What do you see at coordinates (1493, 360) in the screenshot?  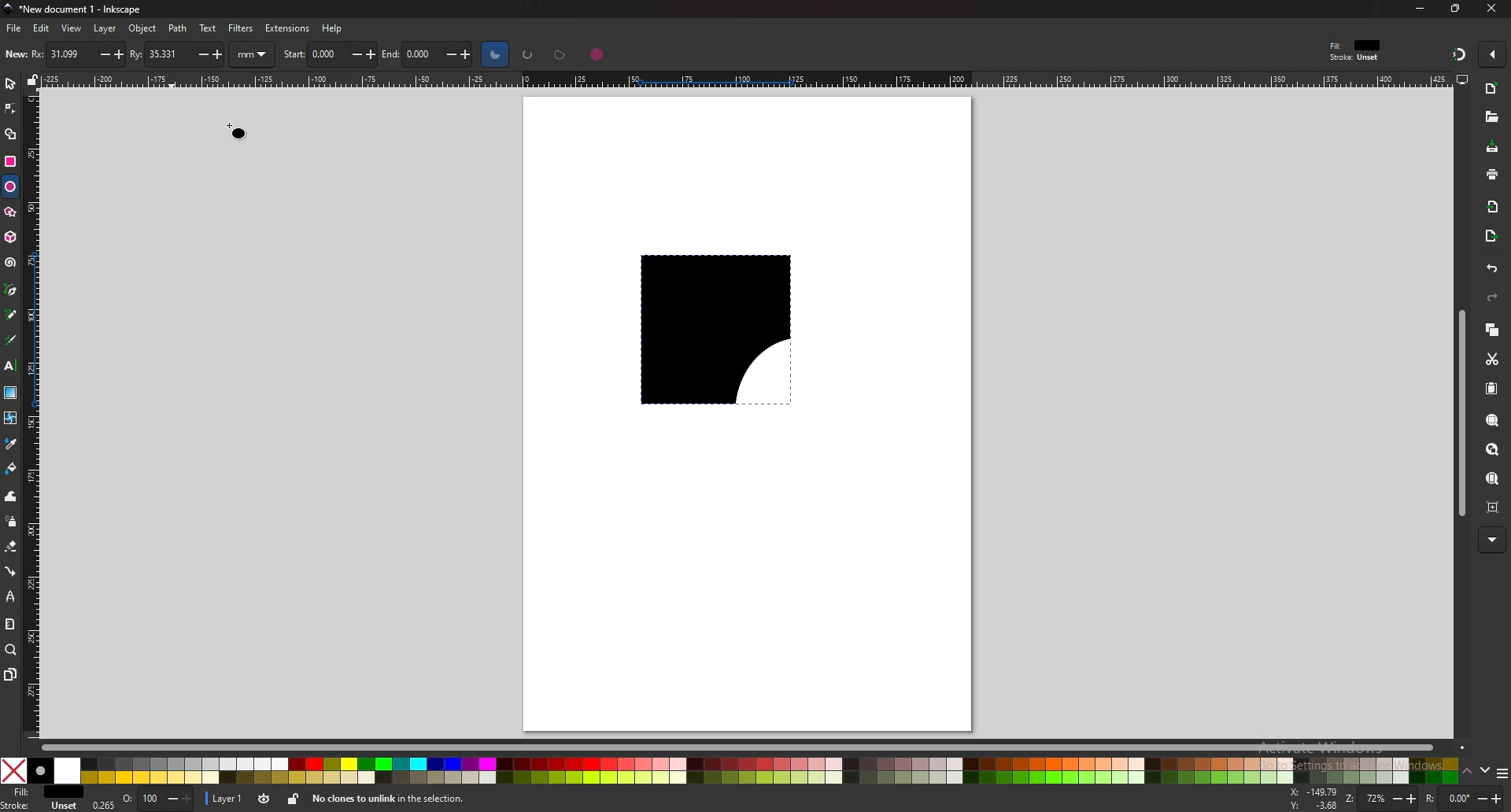 I see `cut` at bounding box center [1493, 360].